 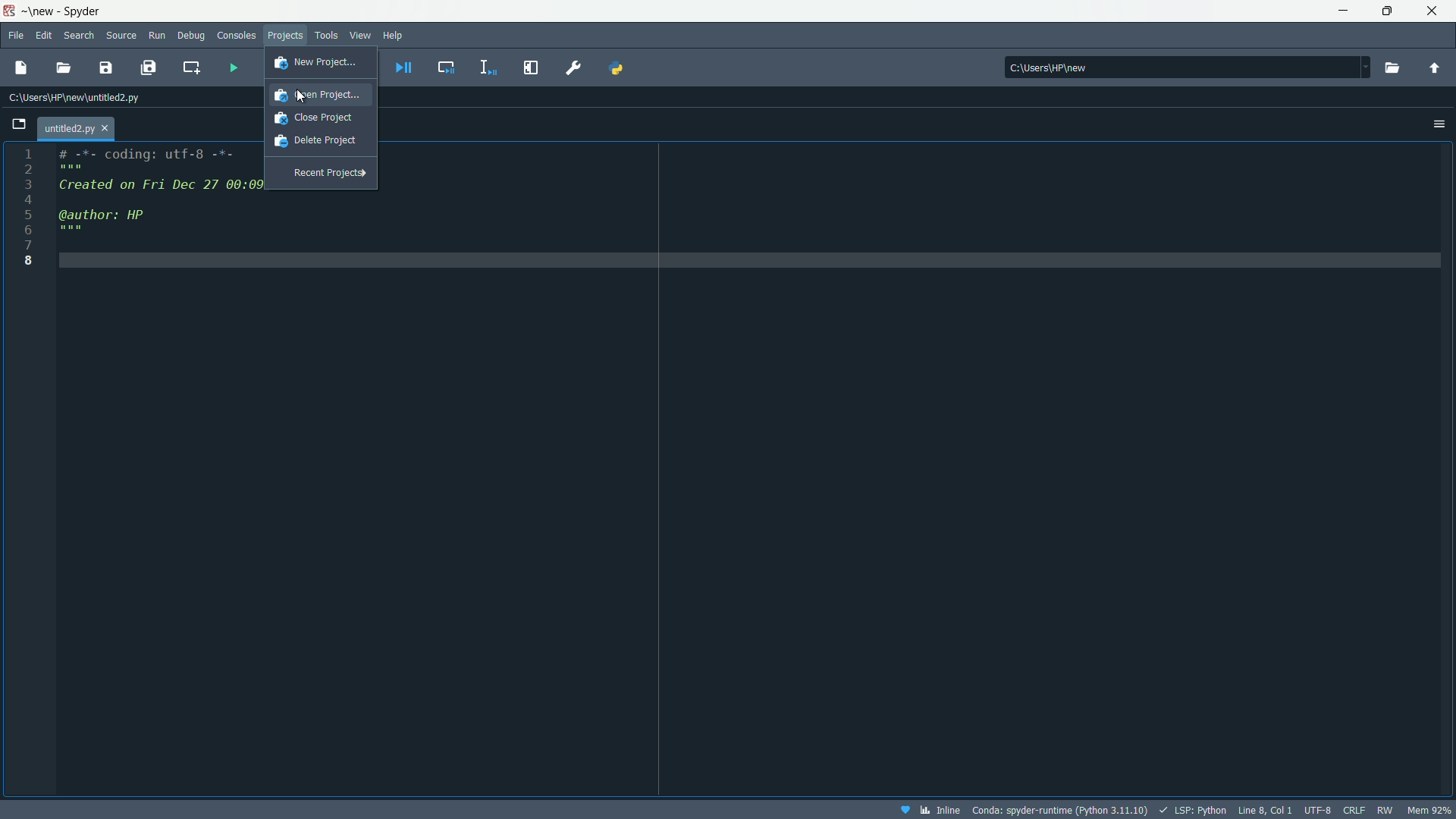 I want to click on cursor on open project, so click(x=303, y=96).